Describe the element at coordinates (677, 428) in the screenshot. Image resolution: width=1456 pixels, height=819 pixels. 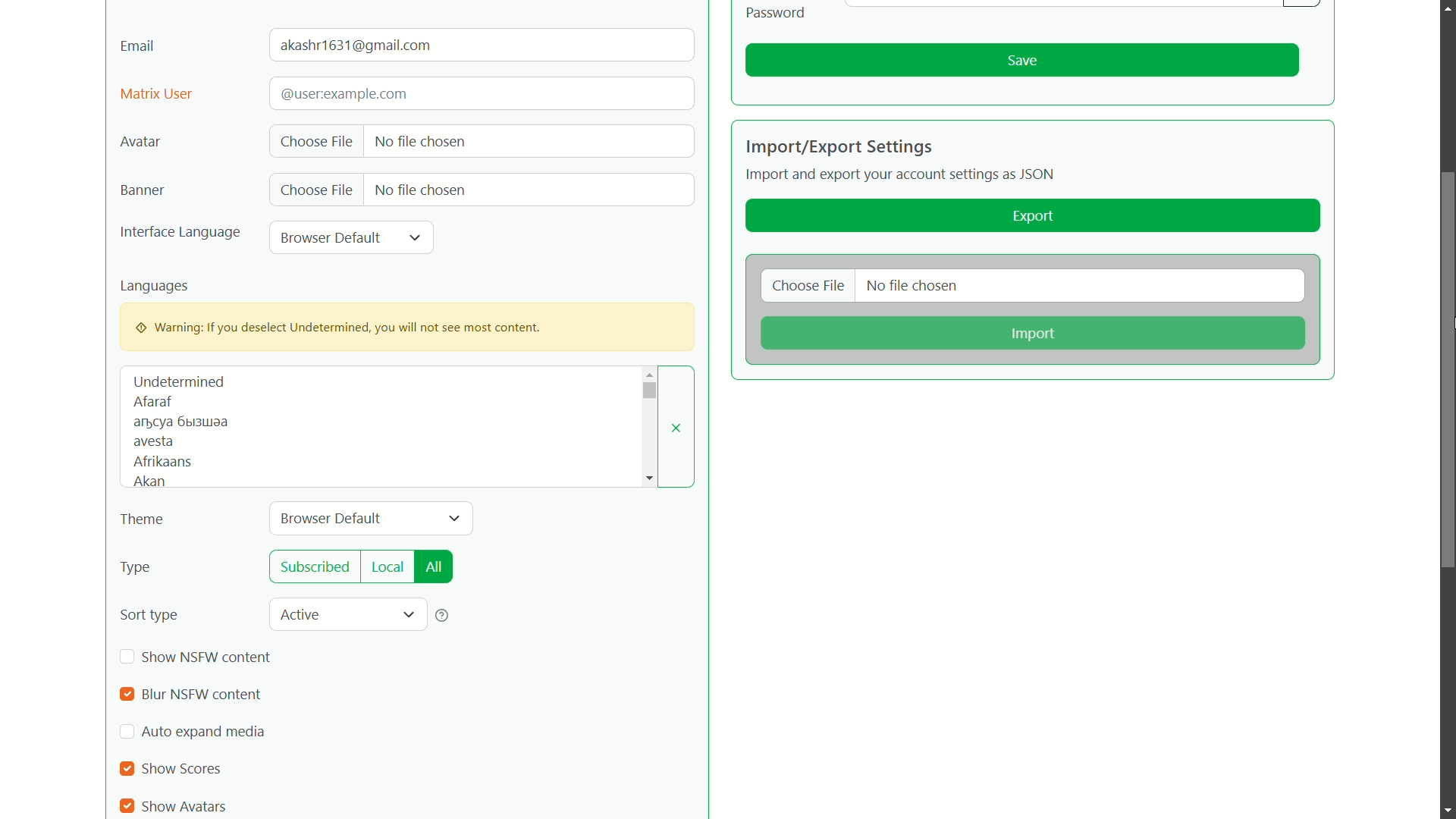
I see `close` at that location.